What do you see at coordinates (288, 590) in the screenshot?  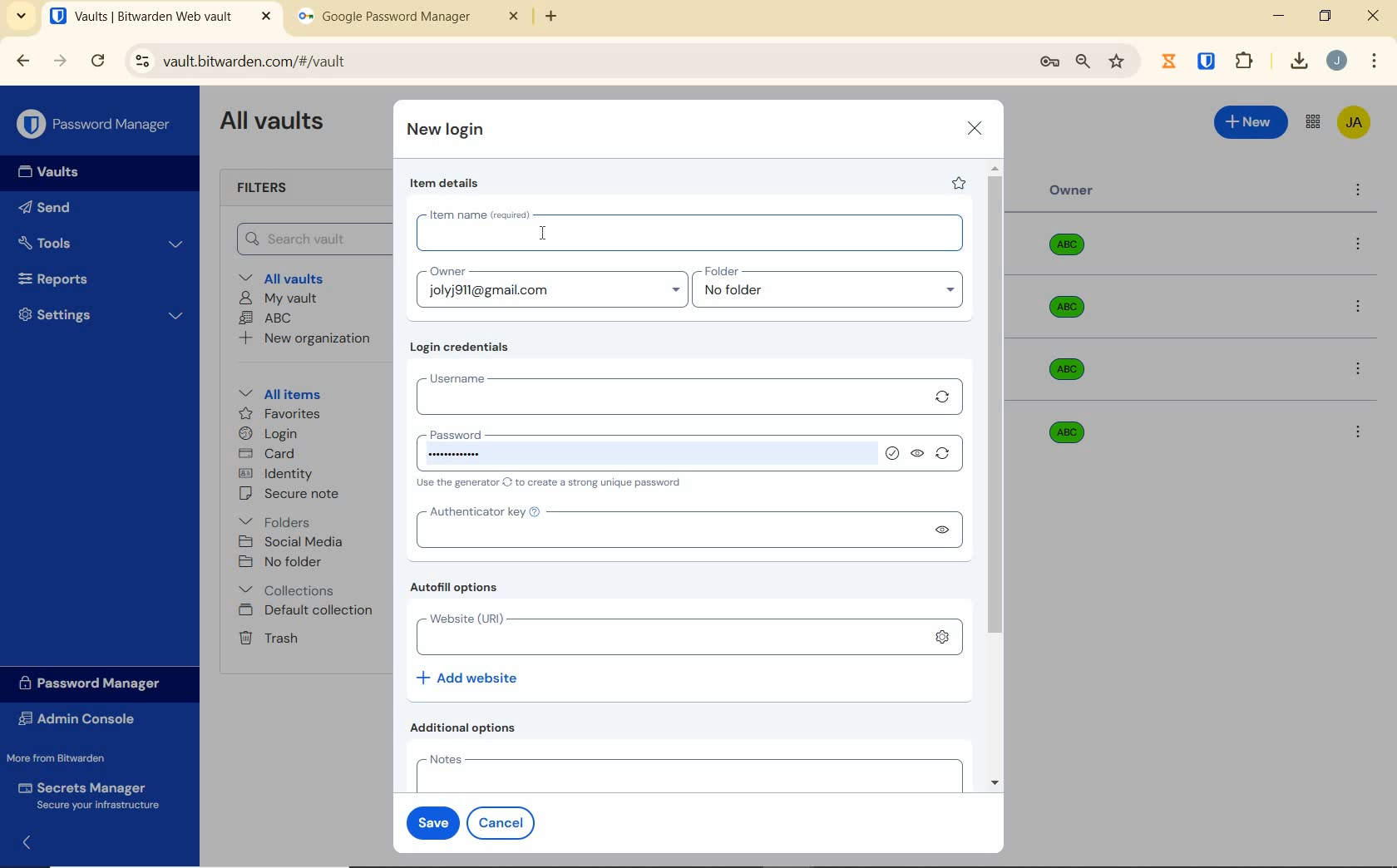 I see `collection` at bounding box center [288, 590].